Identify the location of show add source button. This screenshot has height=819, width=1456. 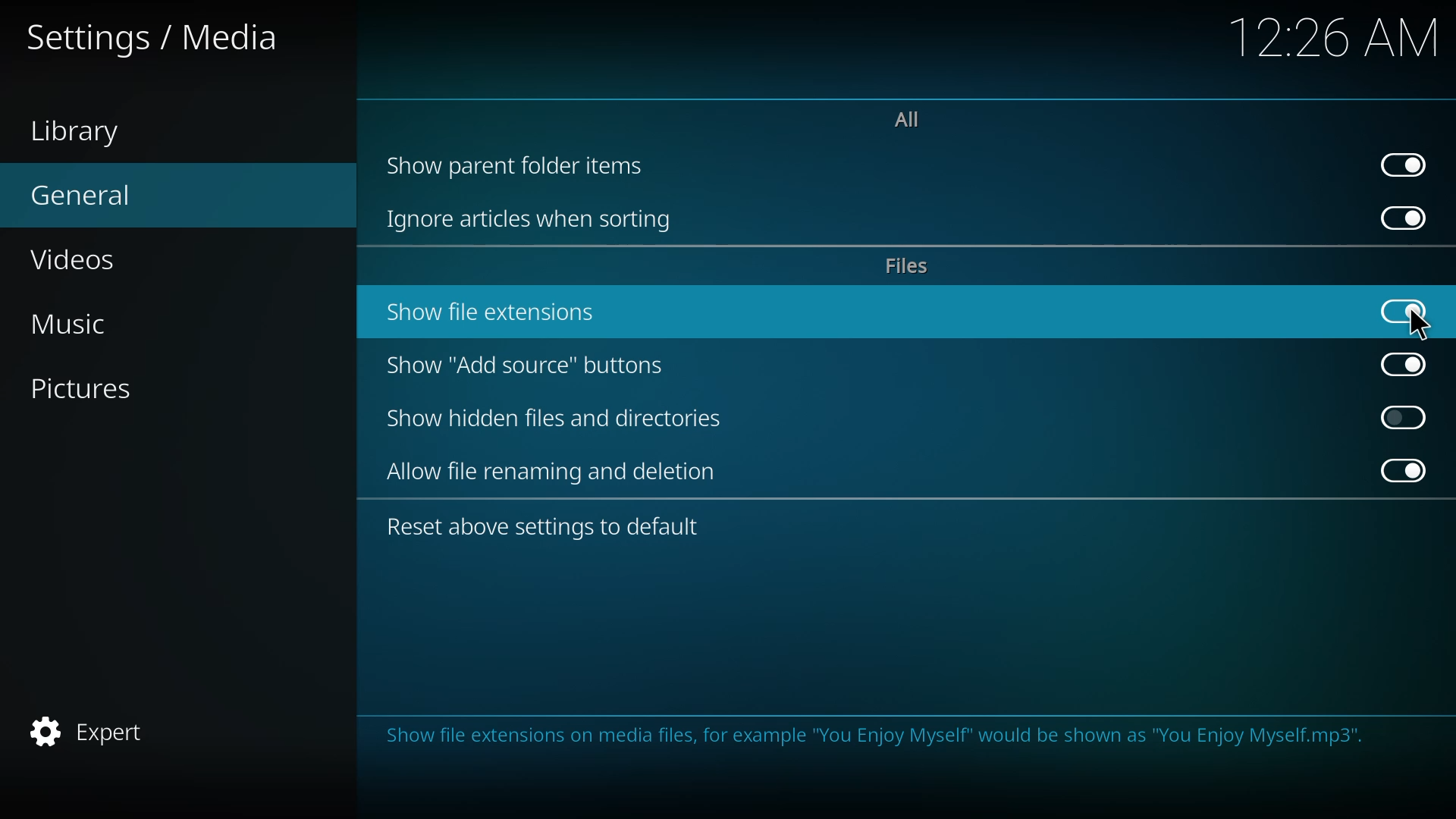
(526, 365).